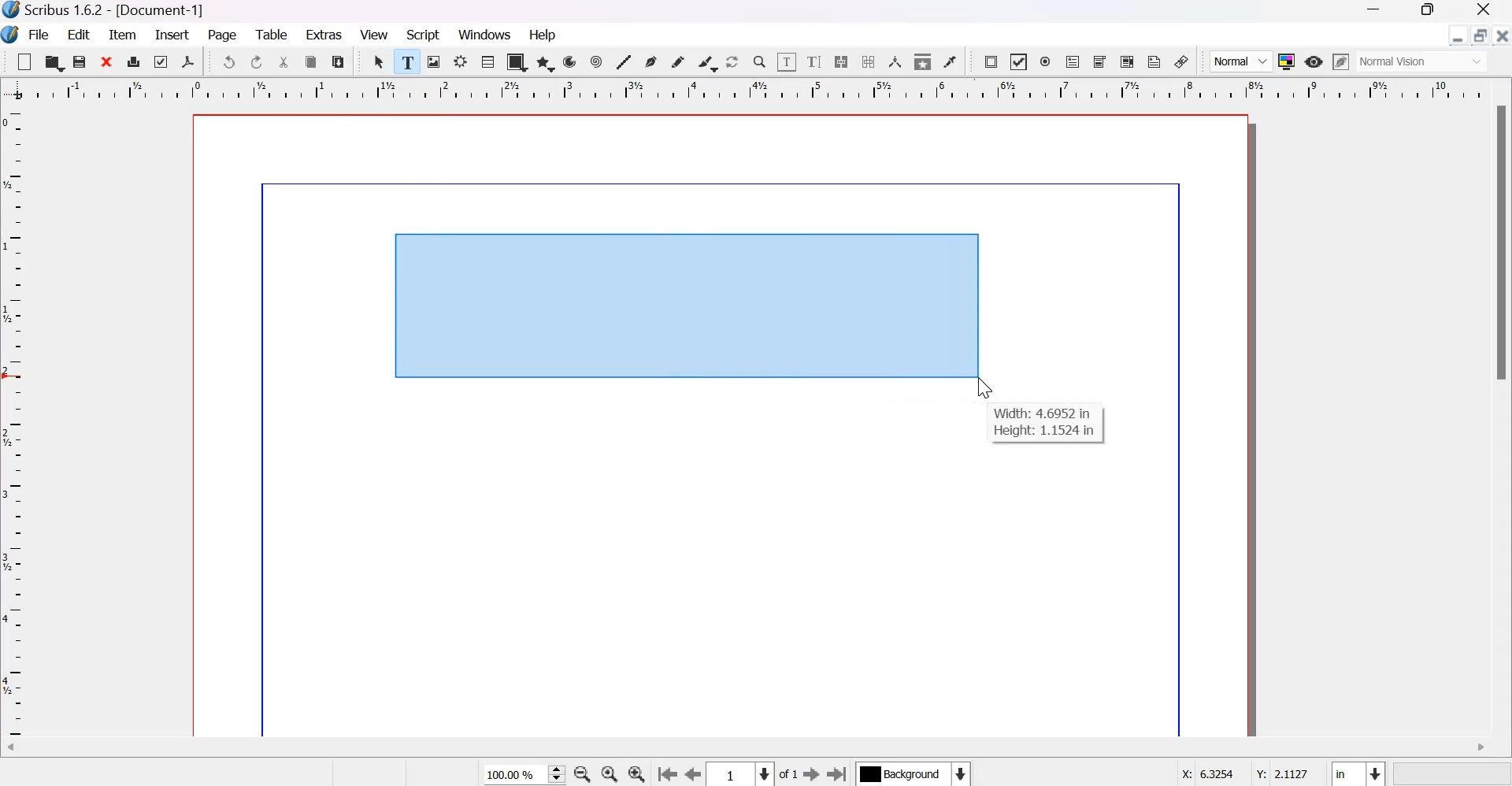  Describe the element at coordinates (741, 774) in the screenshot. I see `Select the current page` at that location.